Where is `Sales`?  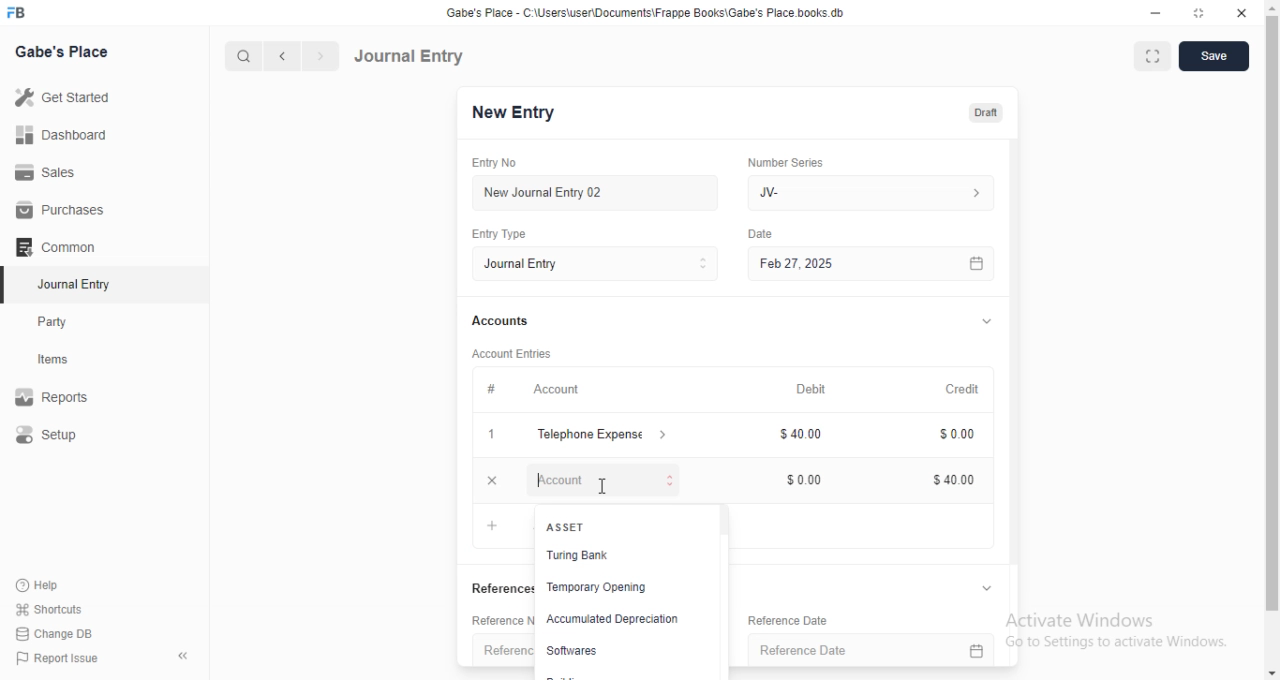
Sales is located at coordinates (49, 174).